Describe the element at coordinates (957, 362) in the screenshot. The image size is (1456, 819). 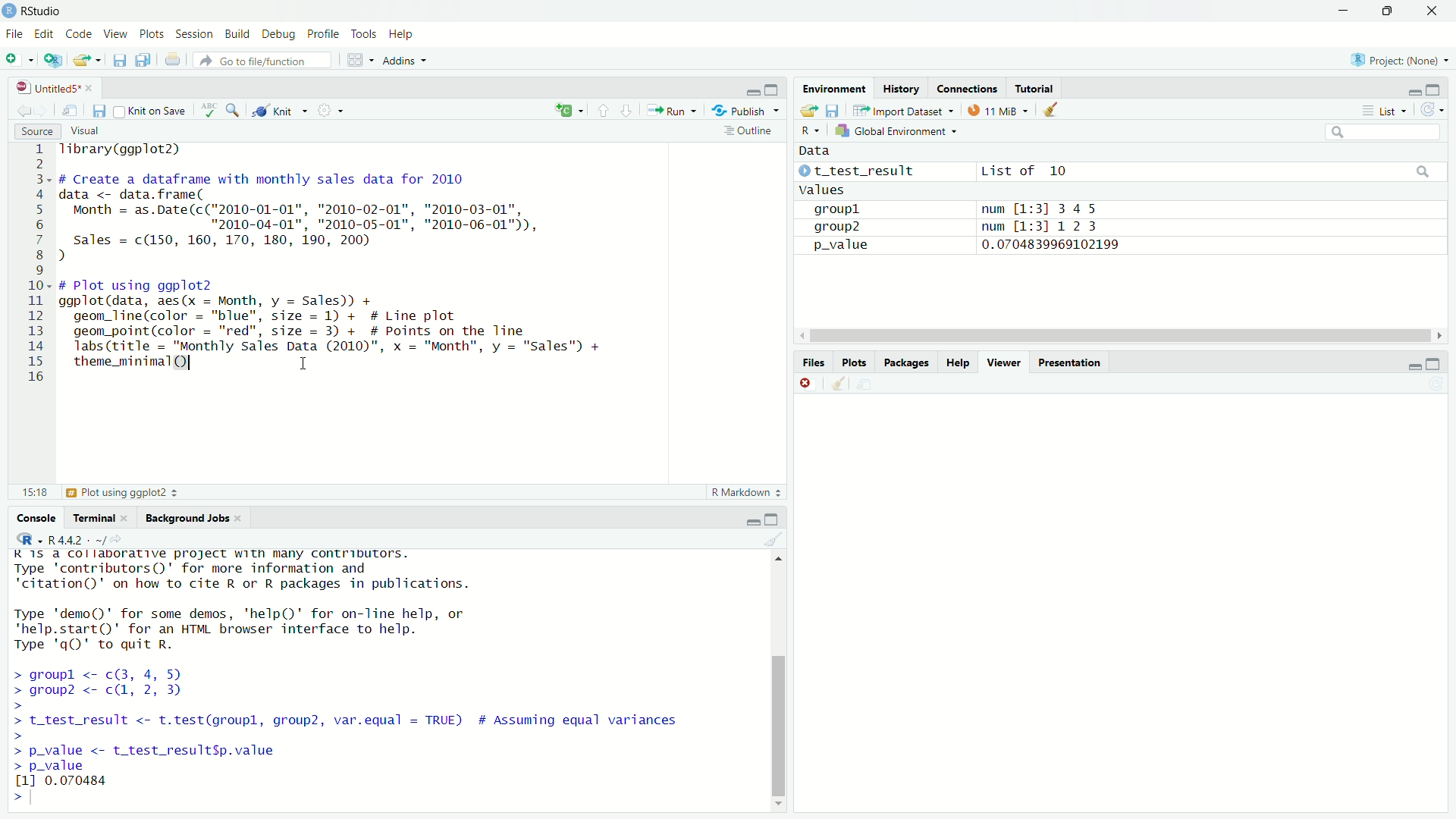
I see `Help` at that location.